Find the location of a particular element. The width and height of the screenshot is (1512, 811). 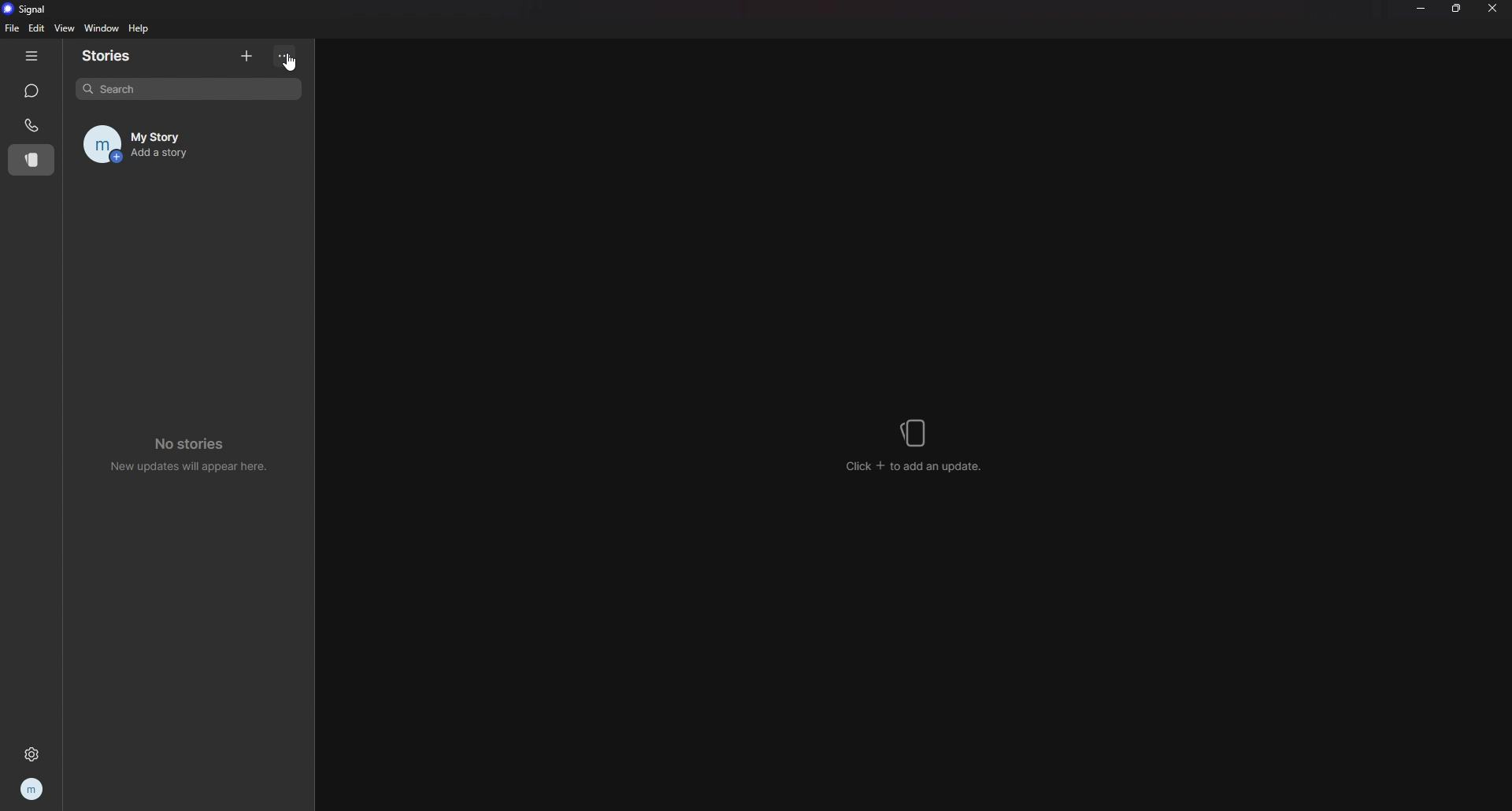

close is located at coordinates (1492, 7).